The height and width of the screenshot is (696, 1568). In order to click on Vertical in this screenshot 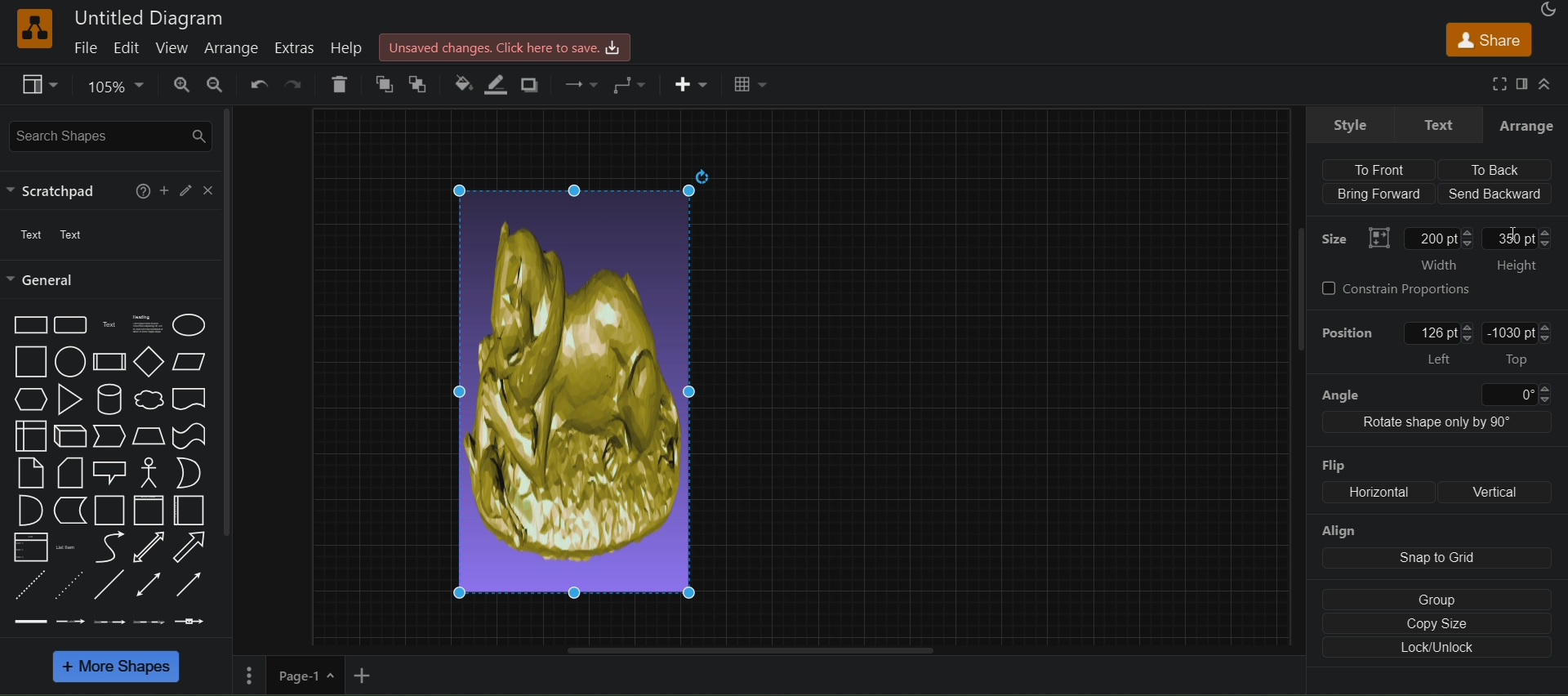, I will do `click(1501, 490)`.